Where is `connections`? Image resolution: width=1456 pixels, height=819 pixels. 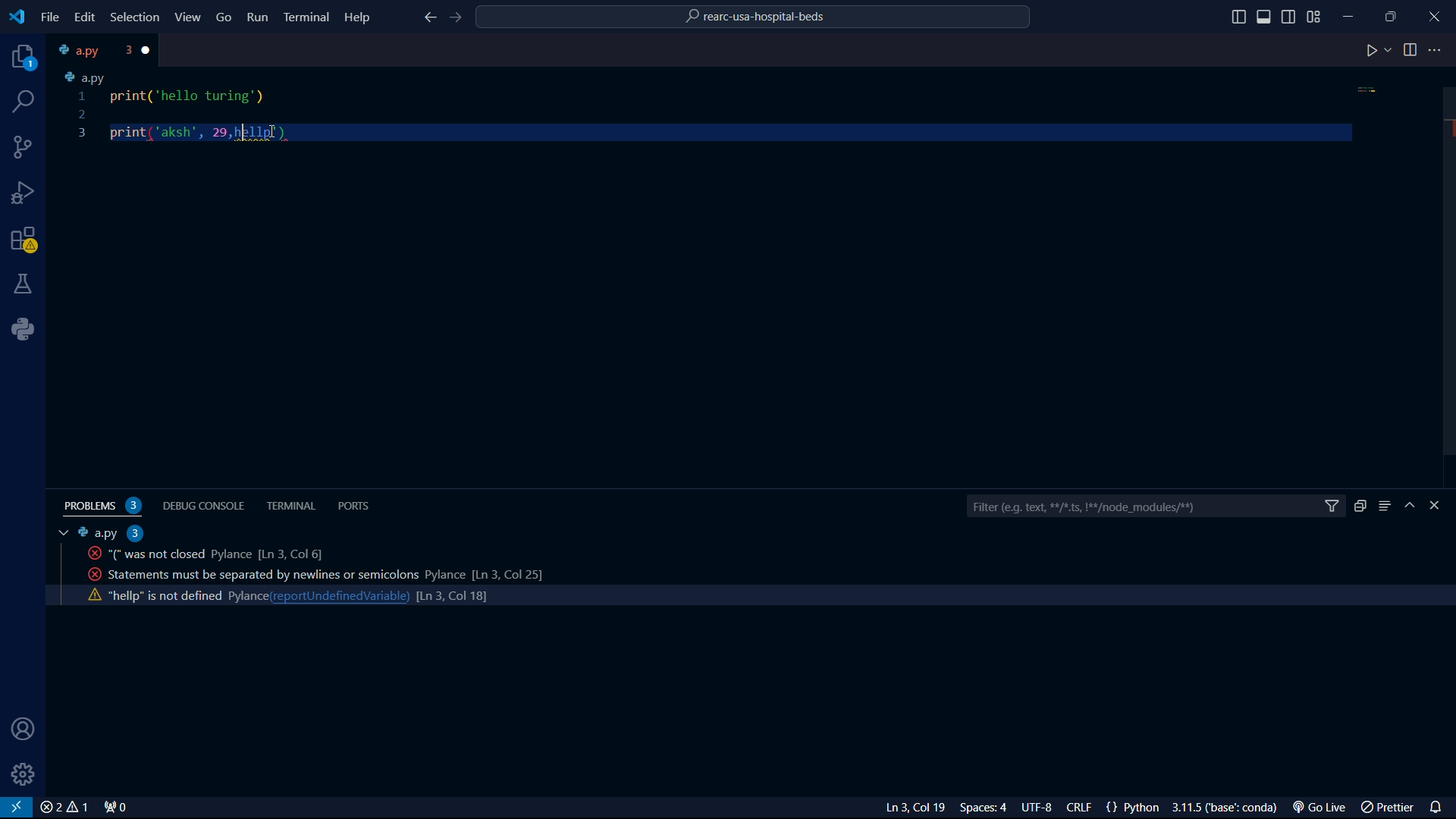
connections is located at coordinates (24, 147).